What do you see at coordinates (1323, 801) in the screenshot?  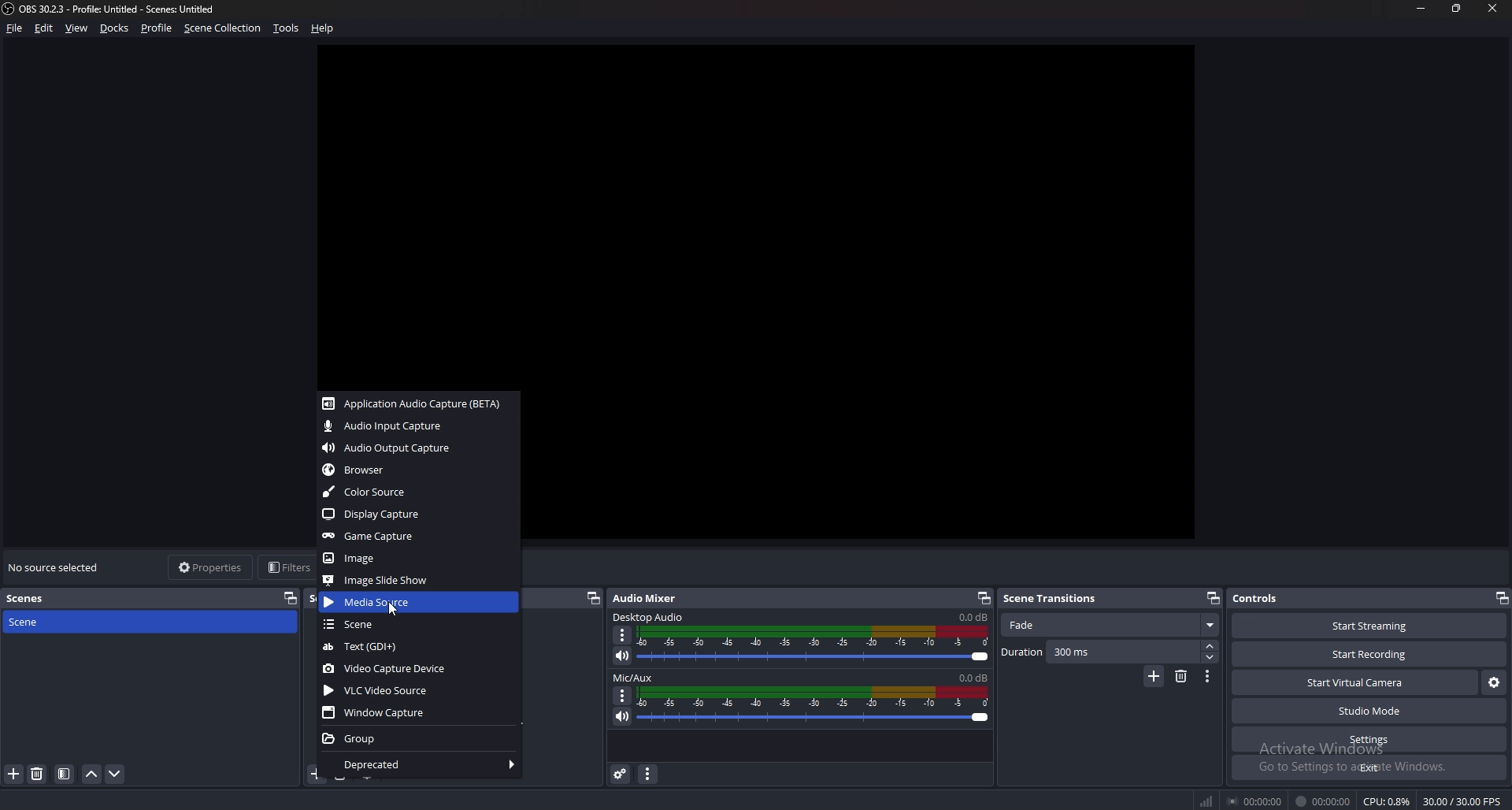 I see `00:00:00` at bounding box center [1323, 801].